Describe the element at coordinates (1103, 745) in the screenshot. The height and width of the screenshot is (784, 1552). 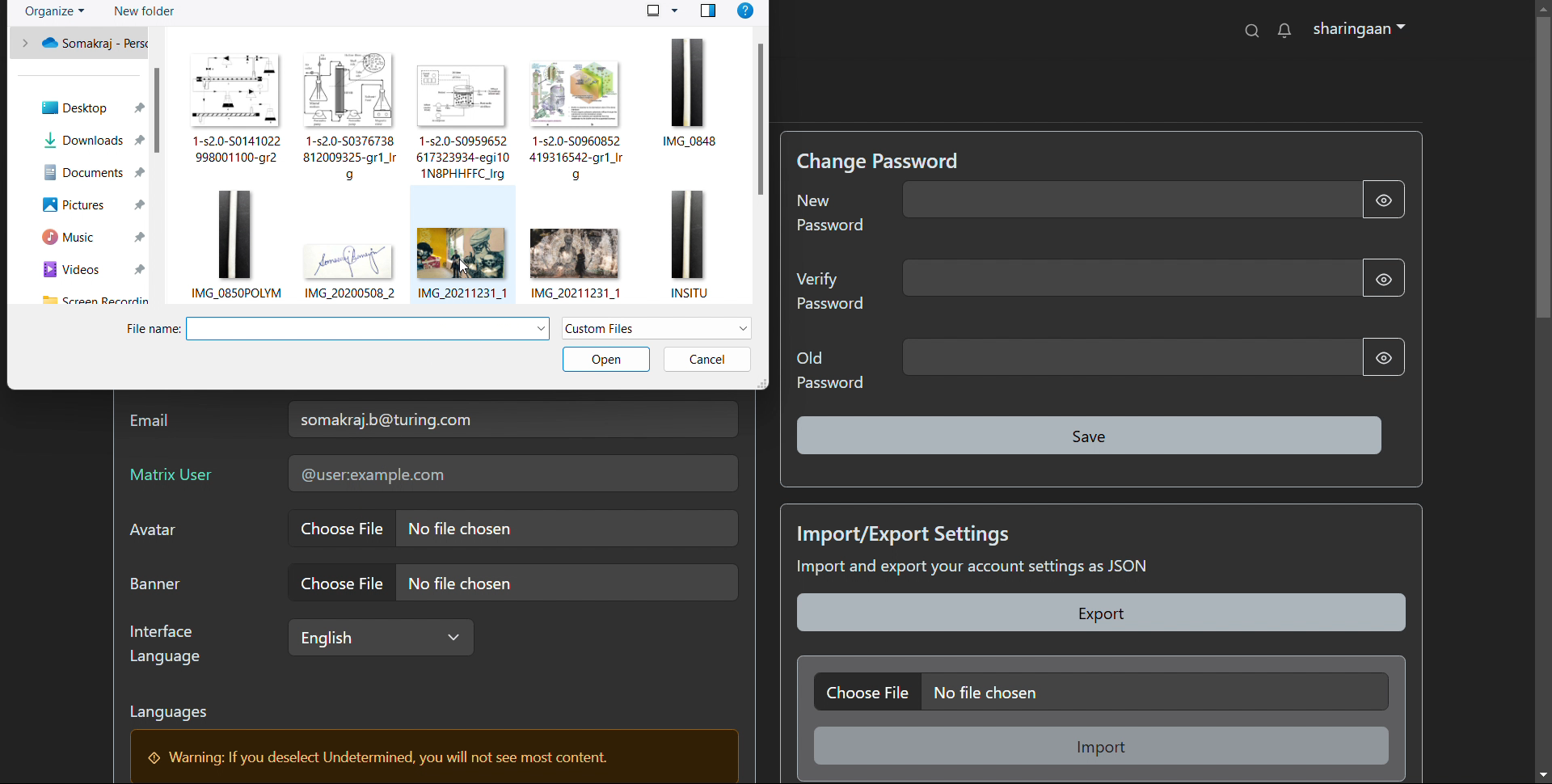
I see `import` at that location.